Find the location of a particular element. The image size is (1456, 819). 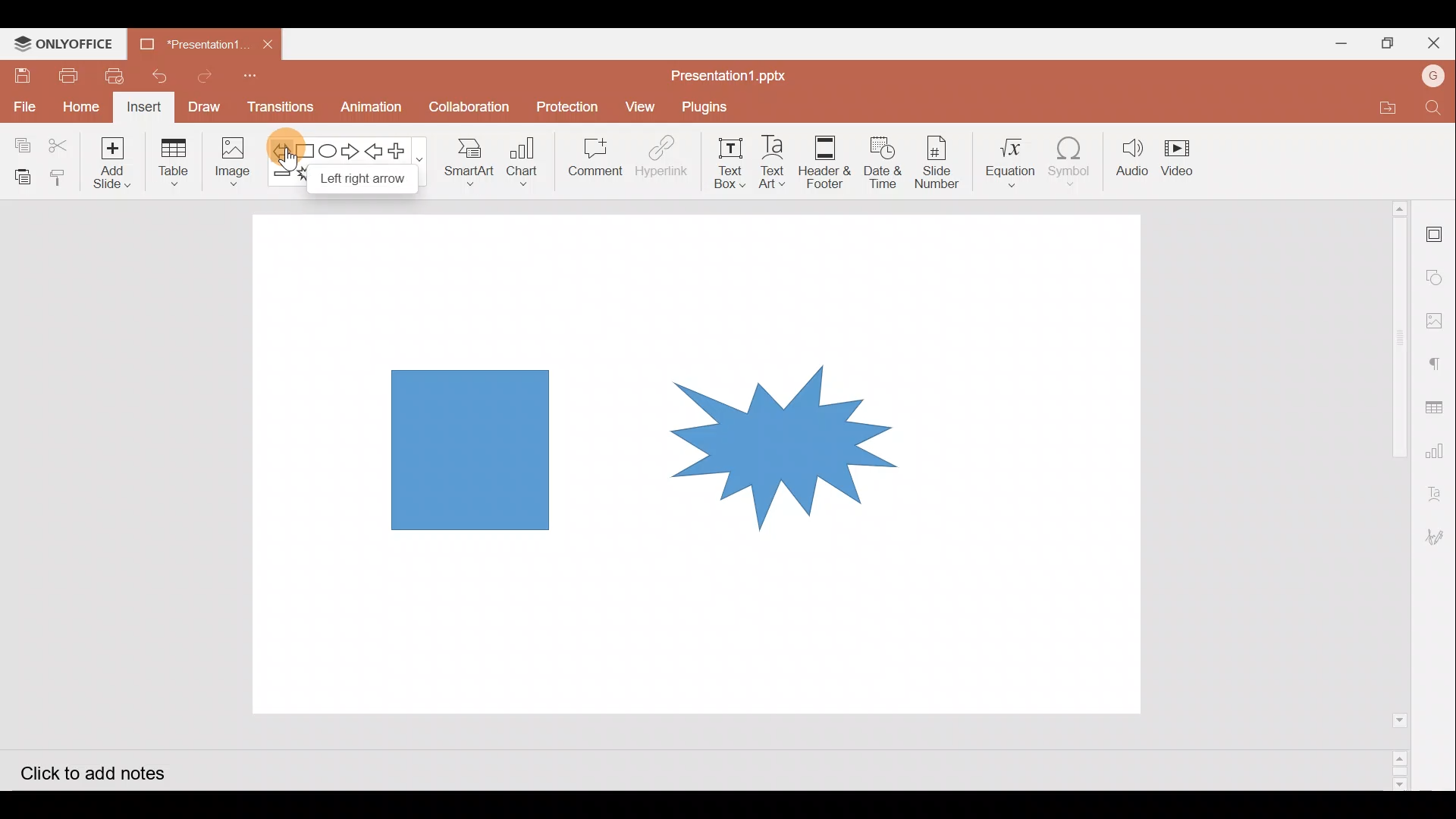

Scroll bar is located at coordinates (1393, 494).